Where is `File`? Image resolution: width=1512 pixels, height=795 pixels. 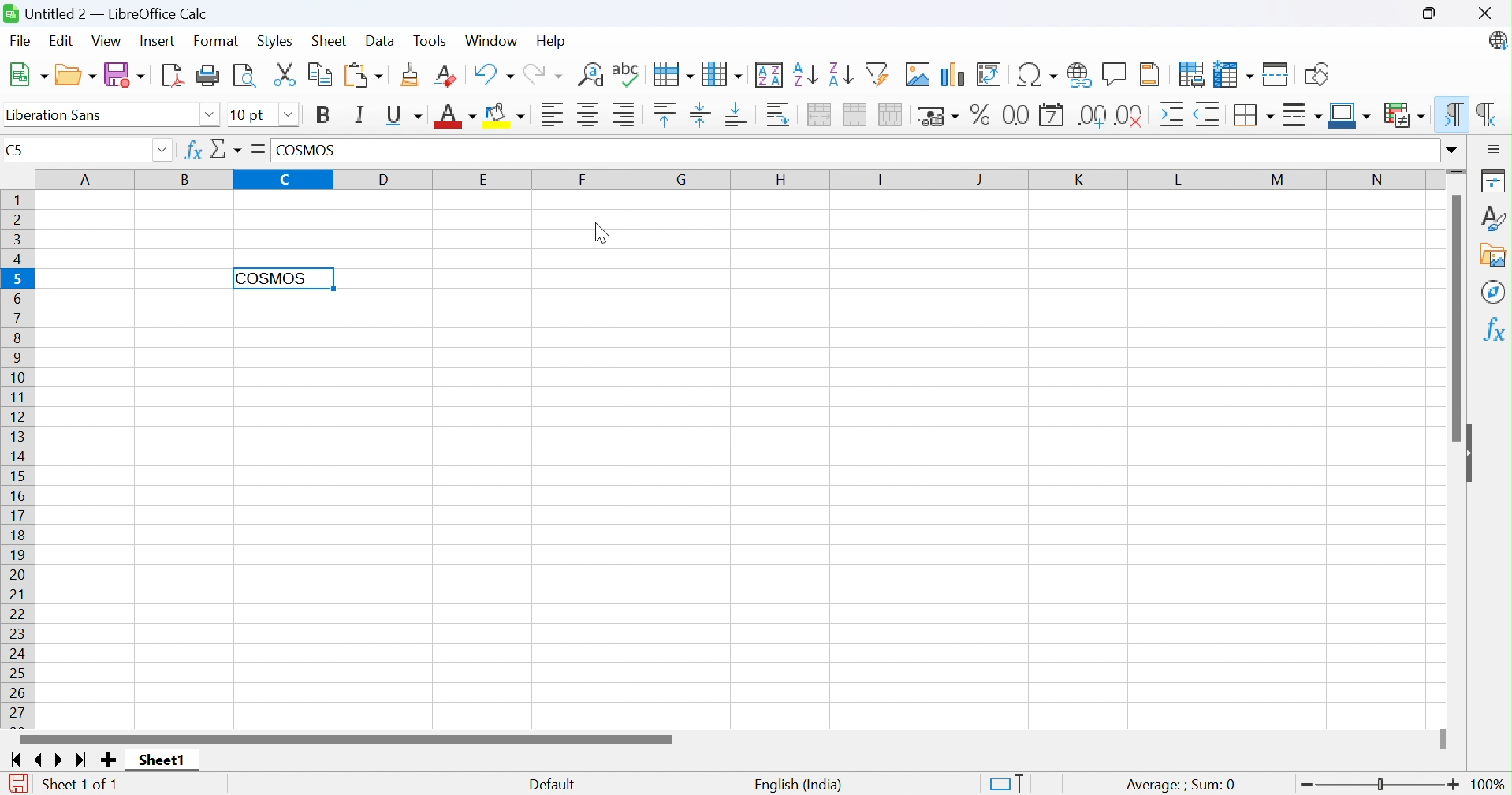
File is located at coordinates (21, 39).